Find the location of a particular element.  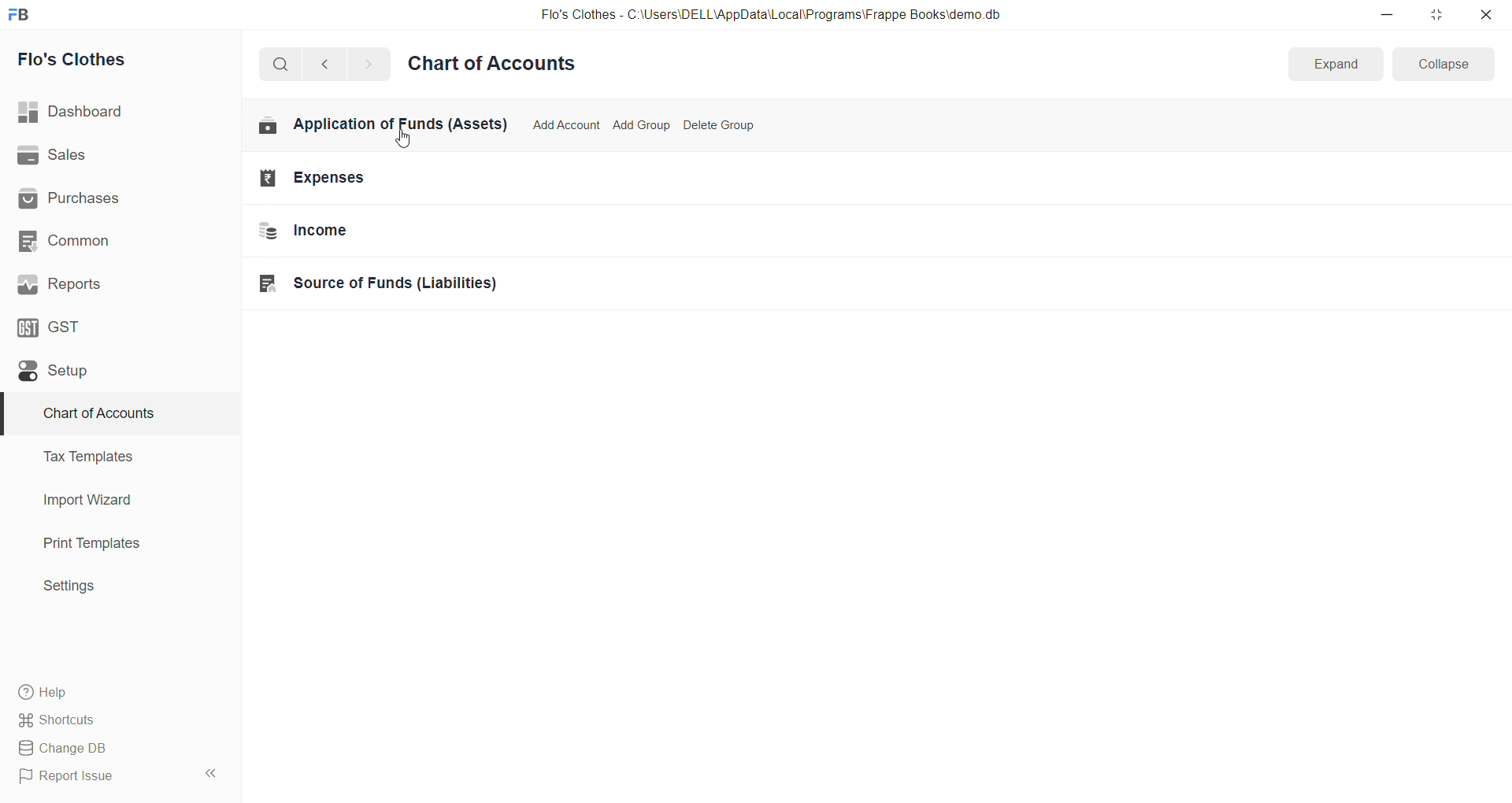

Source of Funds (Liabilities) is located at coordinates (381, 285).